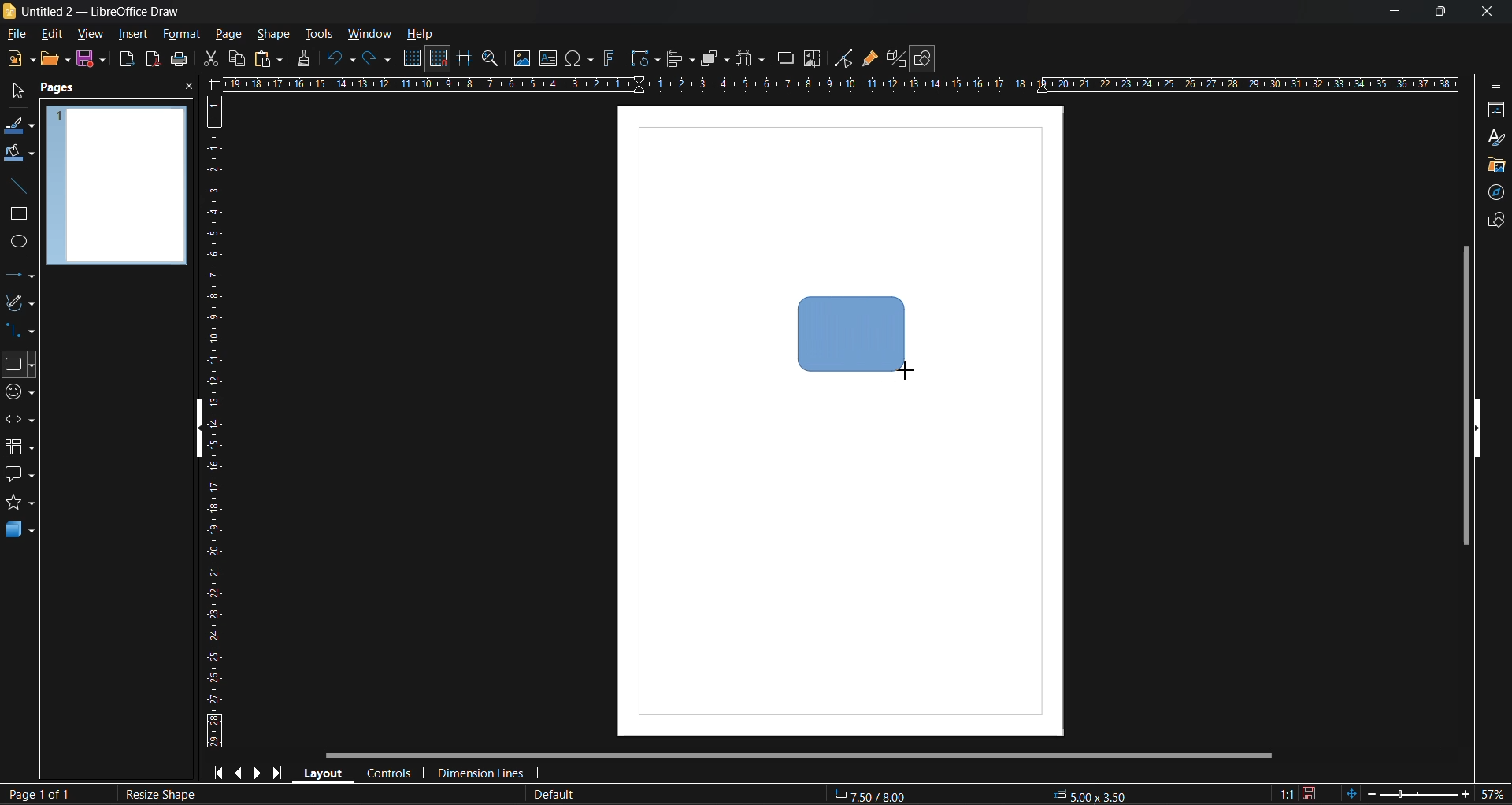  Describe the element at coordinates (752, 59) in the screenshot. I see `distribute` at that location.